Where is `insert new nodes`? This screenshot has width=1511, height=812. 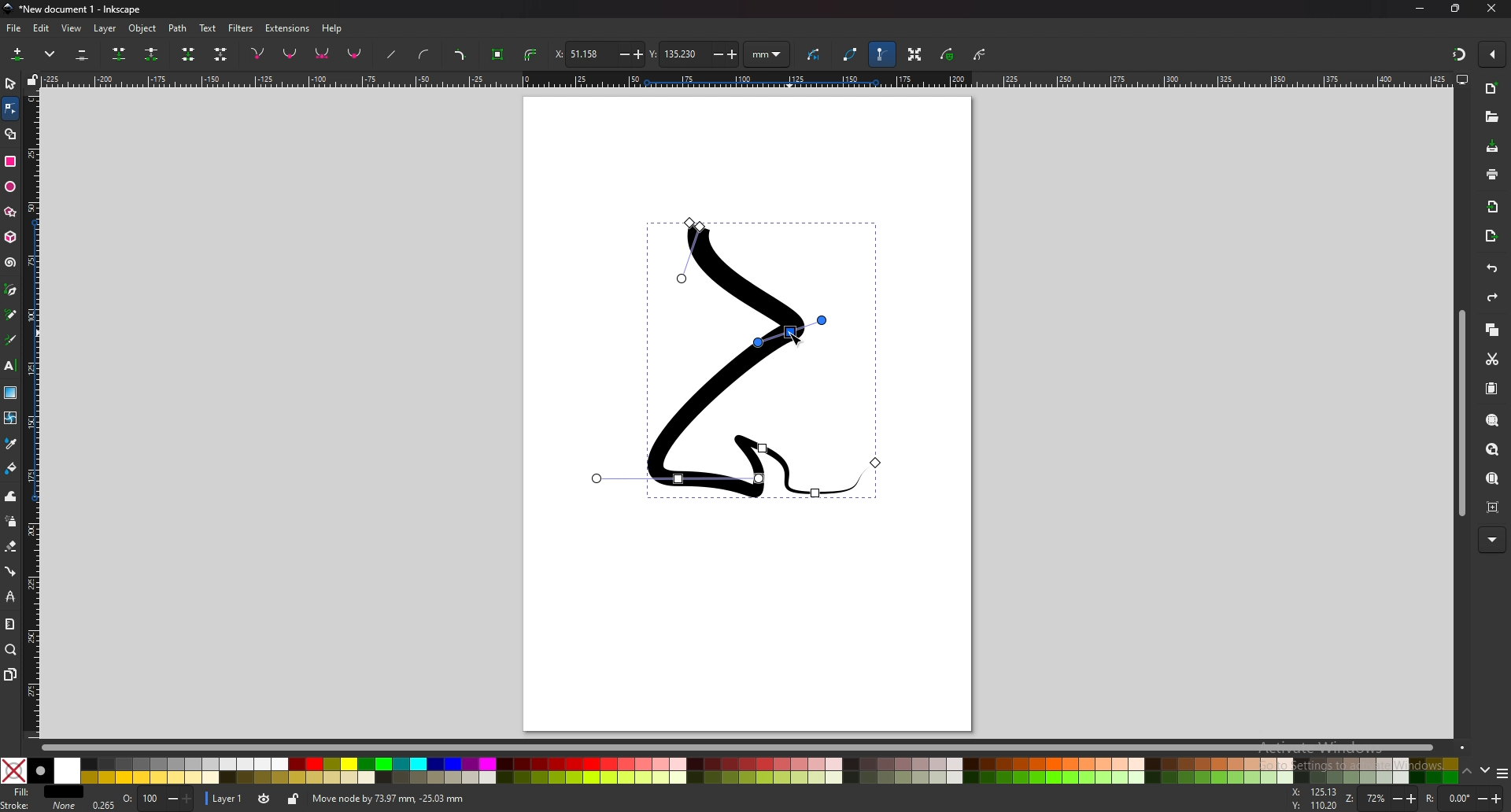
insert new nodes is located at coordinates (18, 54).